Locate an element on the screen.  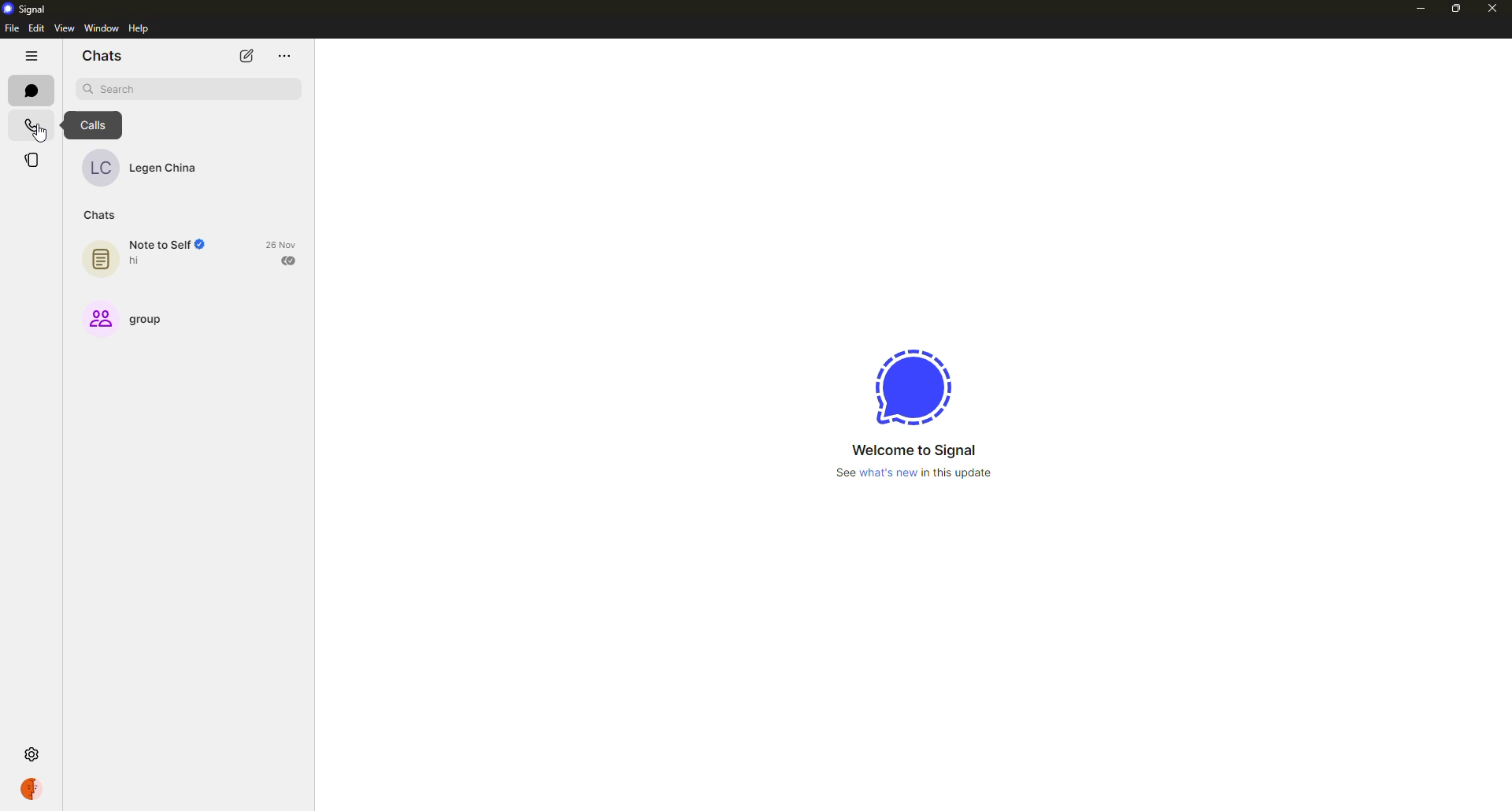
profile is located at coordinates (31, 791).